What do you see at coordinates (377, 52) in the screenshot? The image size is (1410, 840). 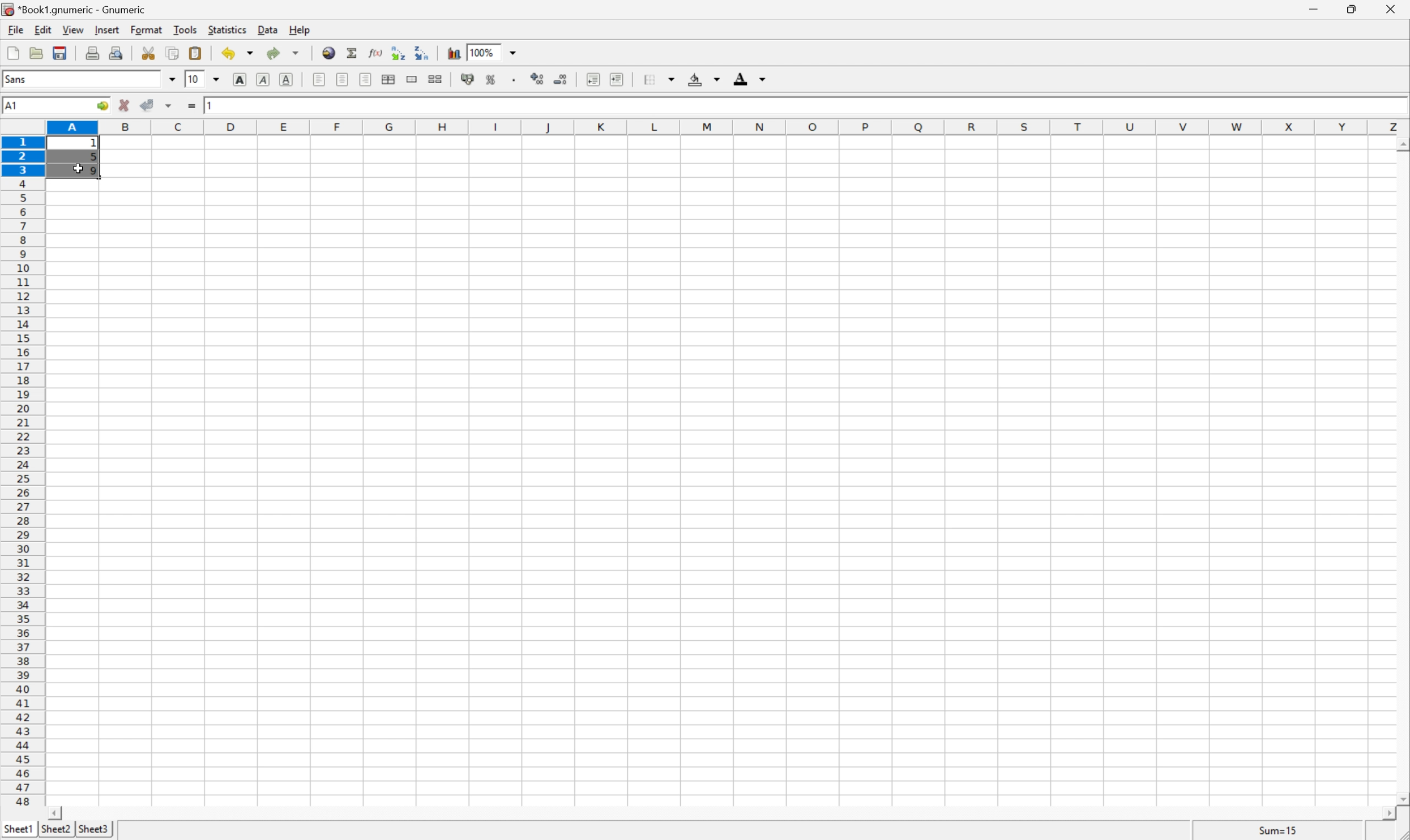 I see `edit function in current cell` at bounding box center [377, 52].